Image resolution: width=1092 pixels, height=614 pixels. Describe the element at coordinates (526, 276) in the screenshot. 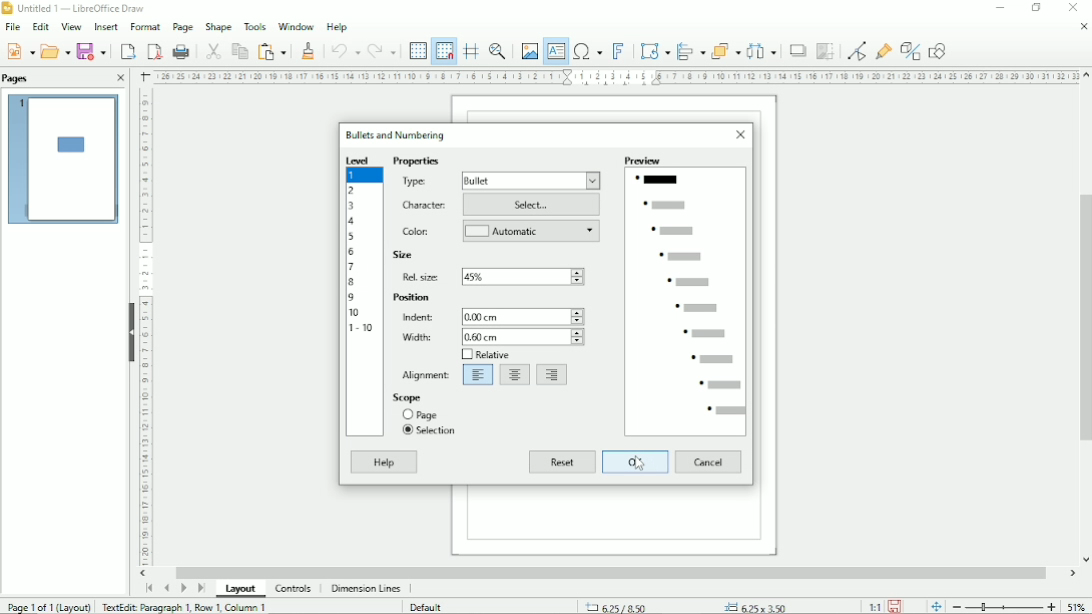

I see `45%` at that location.